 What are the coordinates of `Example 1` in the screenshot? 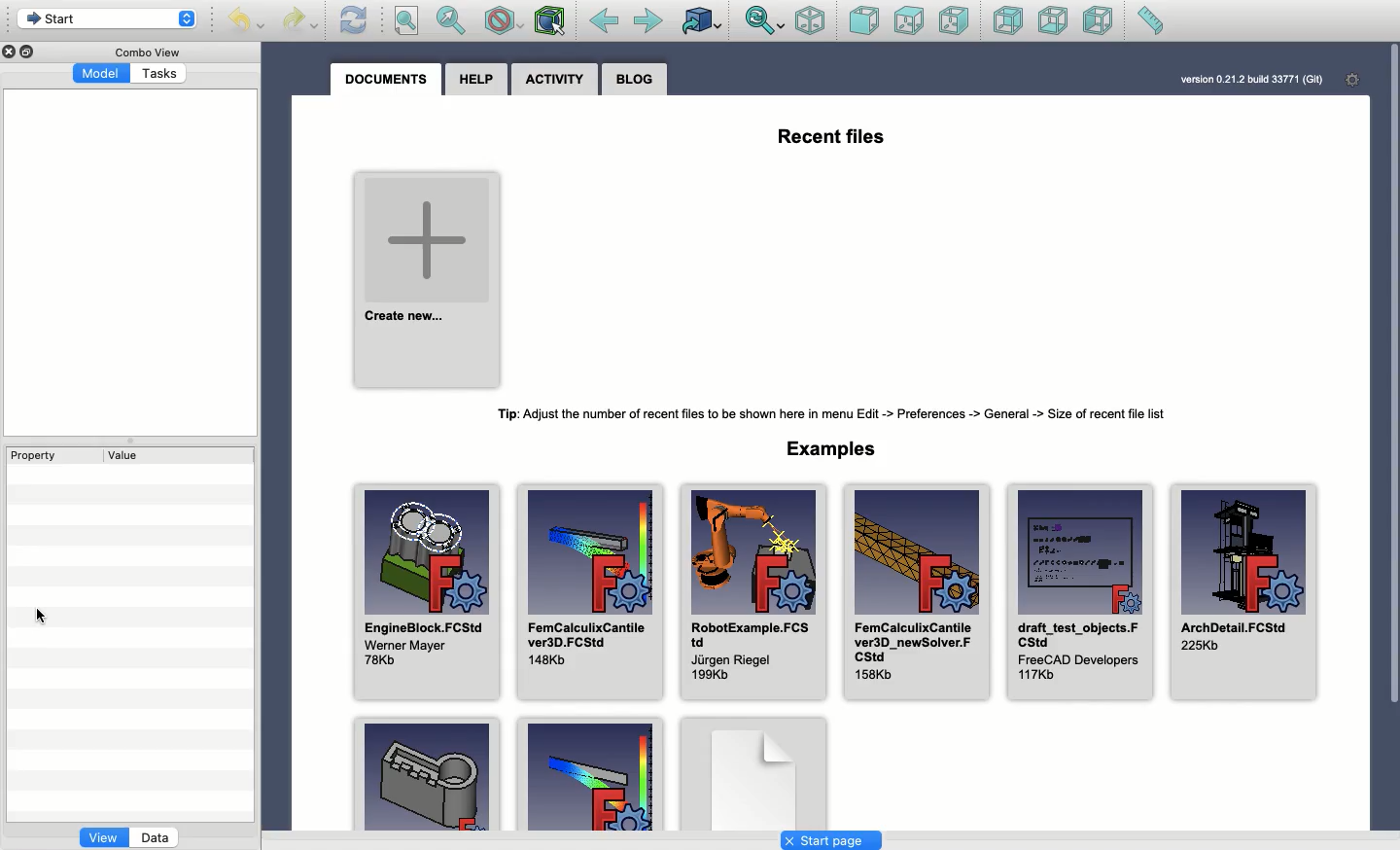 It's located at (428, 772).